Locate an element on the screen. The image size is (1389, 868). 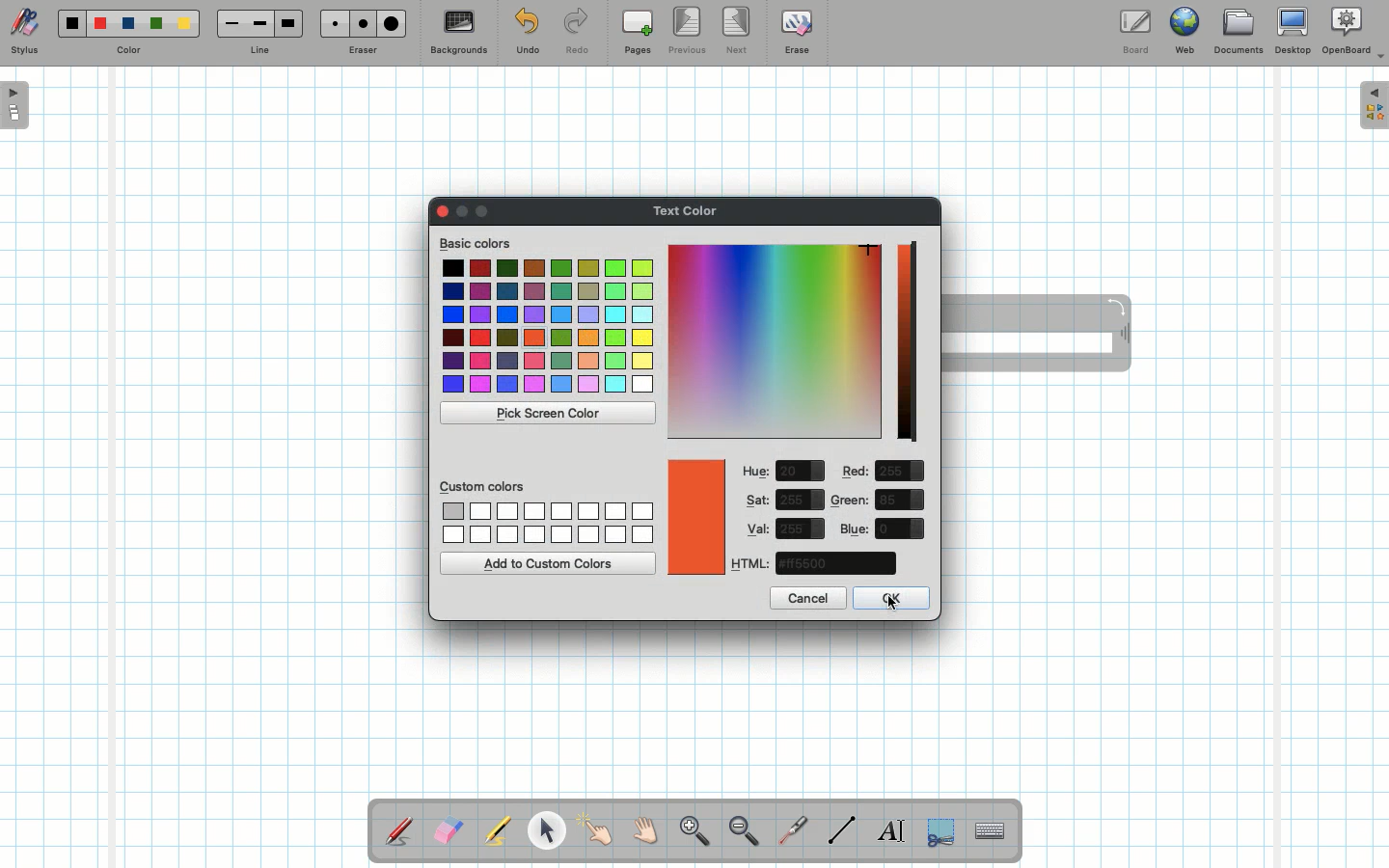
Red is located at coordinates (101, 24).